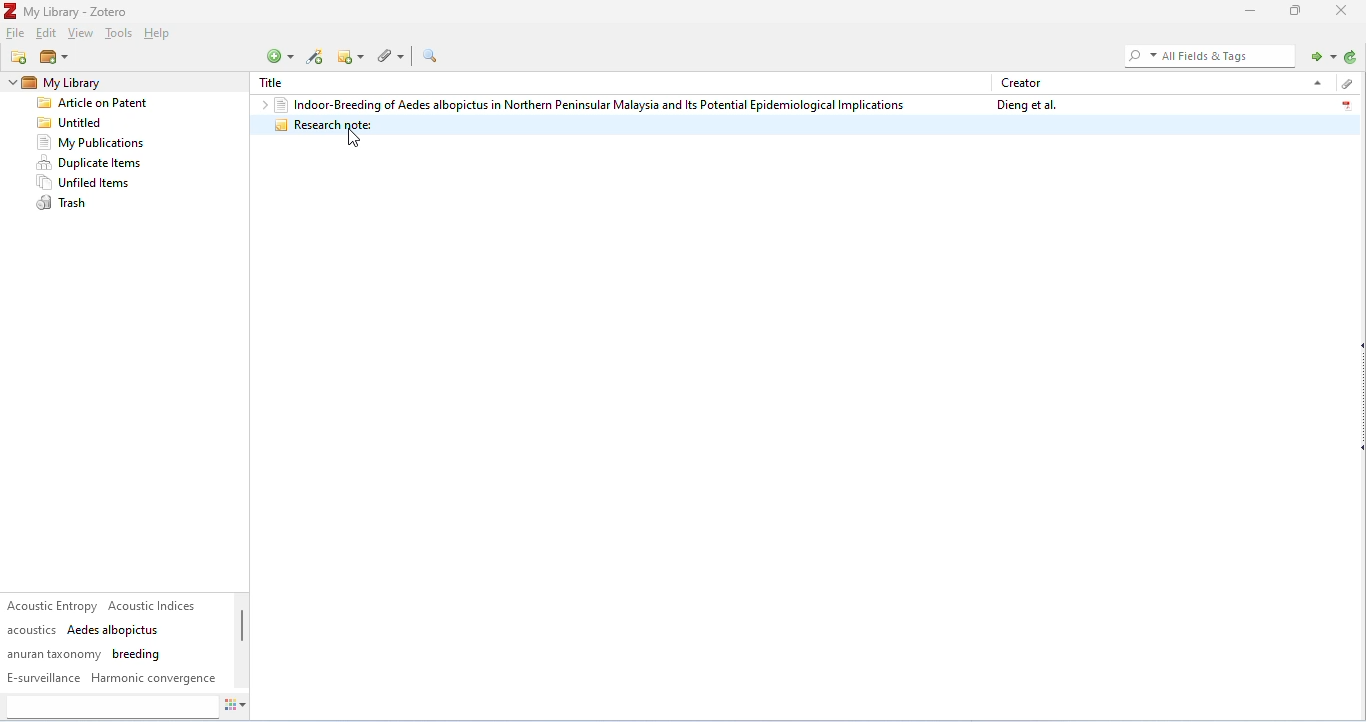 Image resolution: width=1366 pixels, height=722 pixels. What do you see at coordinates (68, 11) in the screenshot?
I see `title` at bounding box center [68, 11].